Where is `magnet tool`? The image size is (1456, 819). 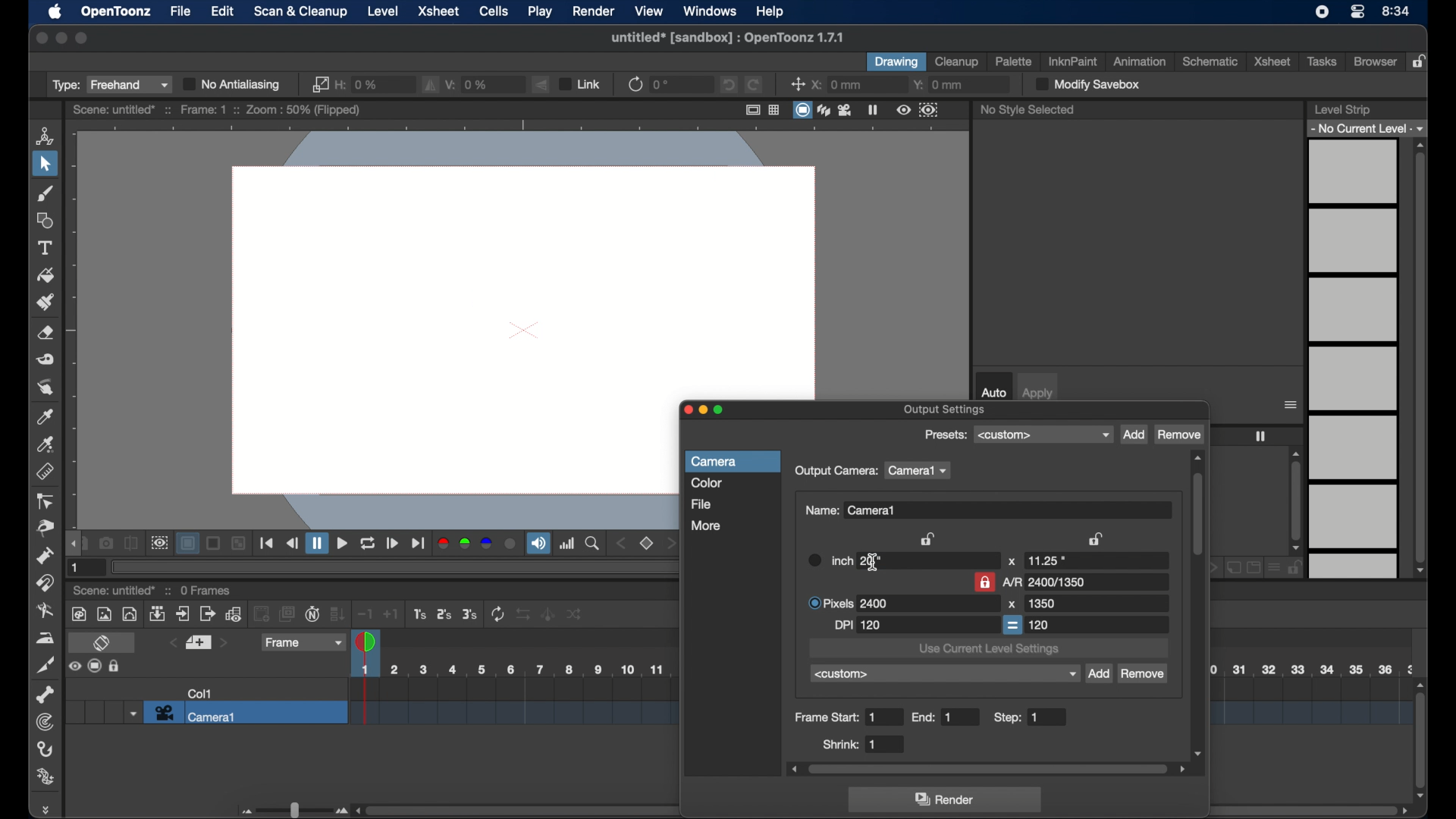 magnet tool is located at coordinates (46, 582).